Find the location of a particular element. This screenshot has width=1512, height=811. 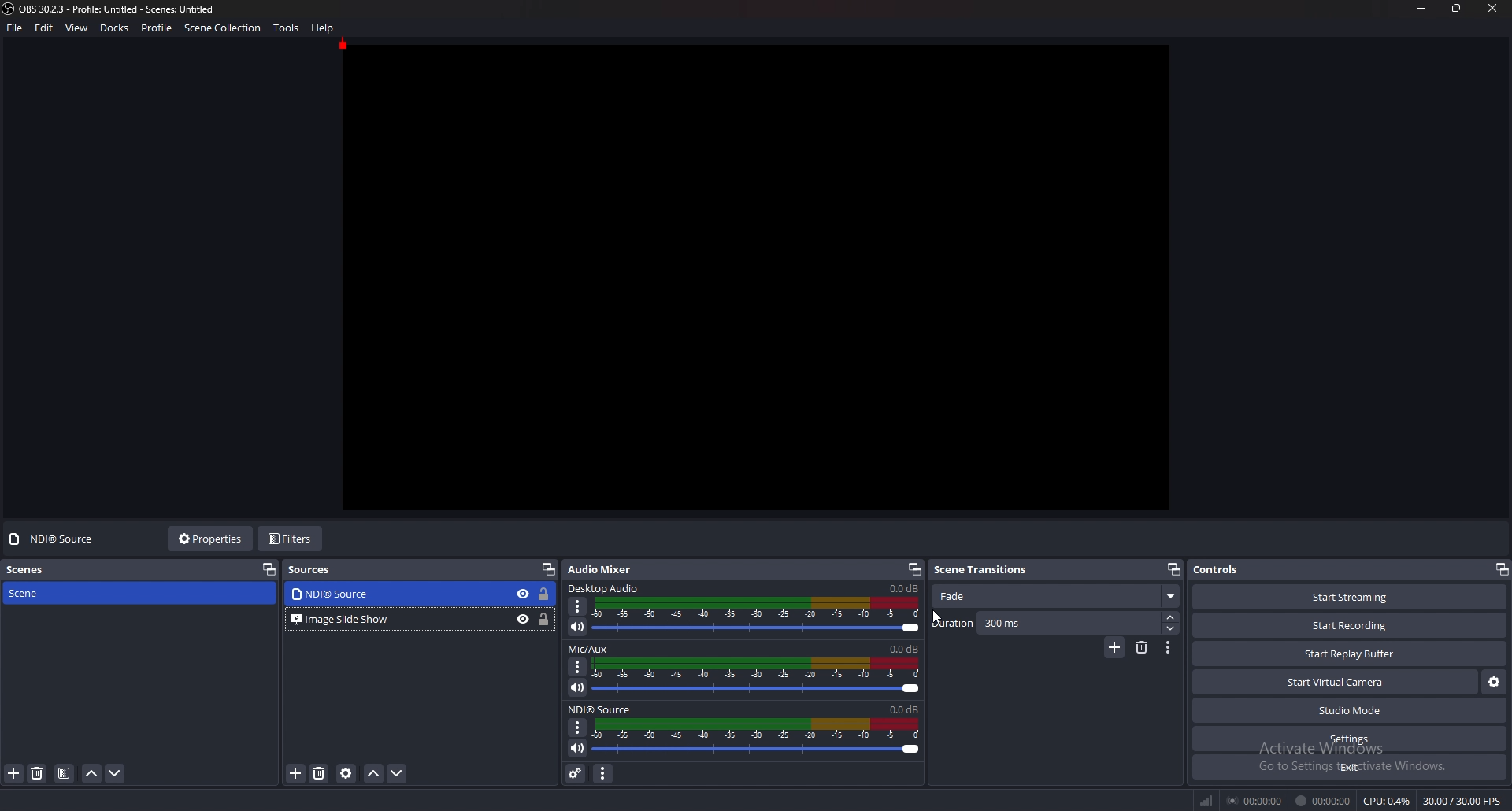

Signal is located at coordinates (1204, 798).